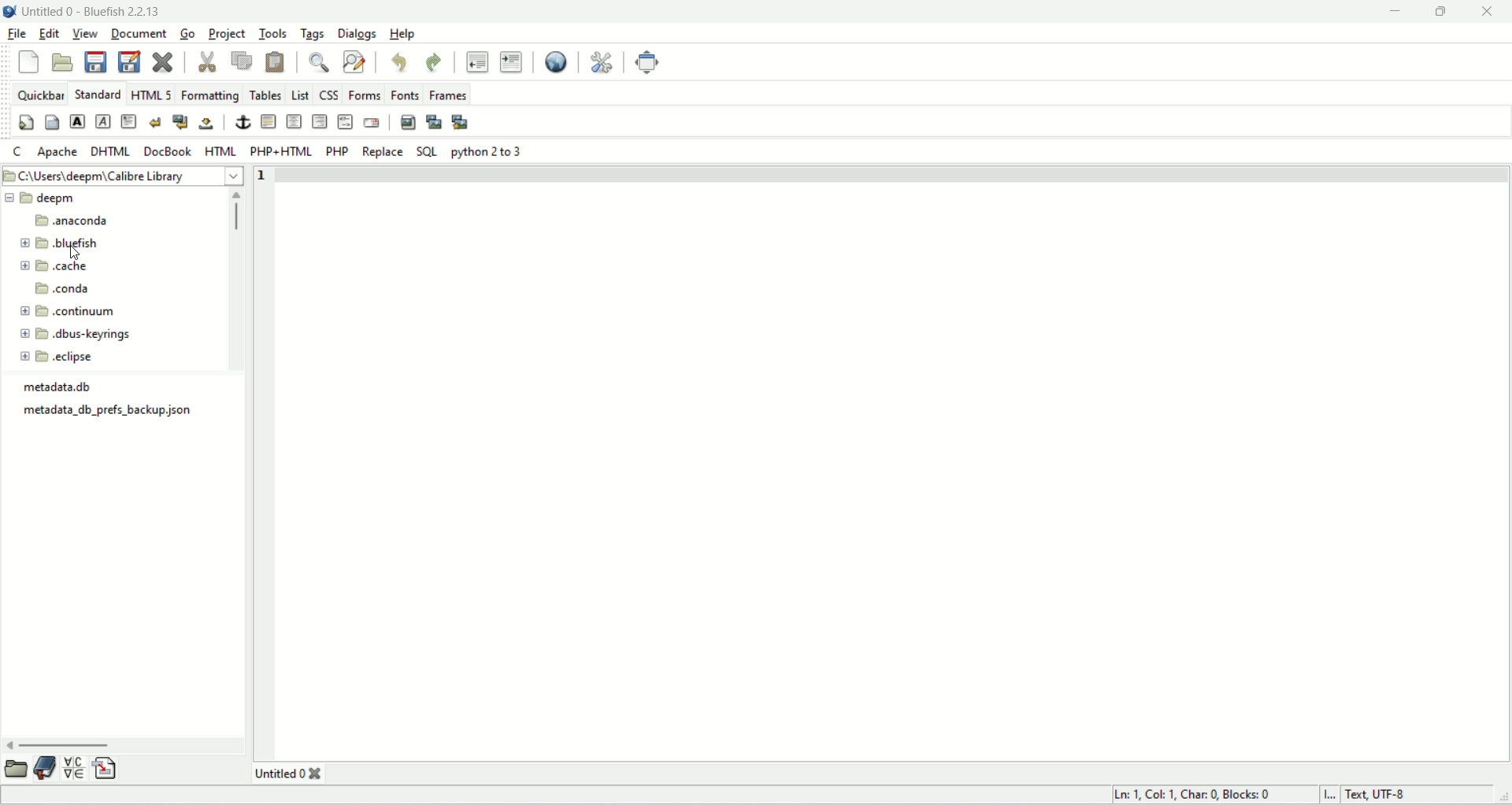 Image resolution: width=1512 pixels, height=805 pixels. Describe the element at coordinates (140, 35) in the screenshot. I see `document` at that location.